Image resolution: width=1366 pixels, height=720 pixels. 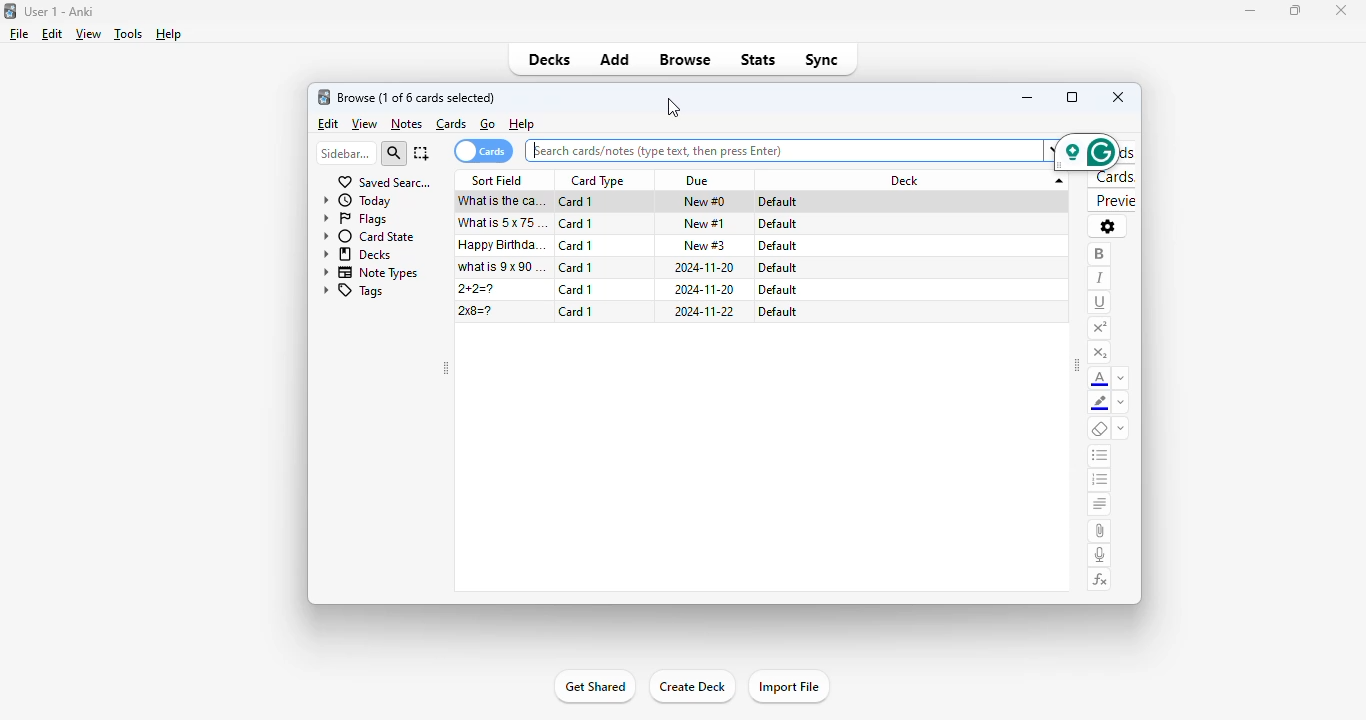 I want to click on card 1, so click(x=575, y=311).